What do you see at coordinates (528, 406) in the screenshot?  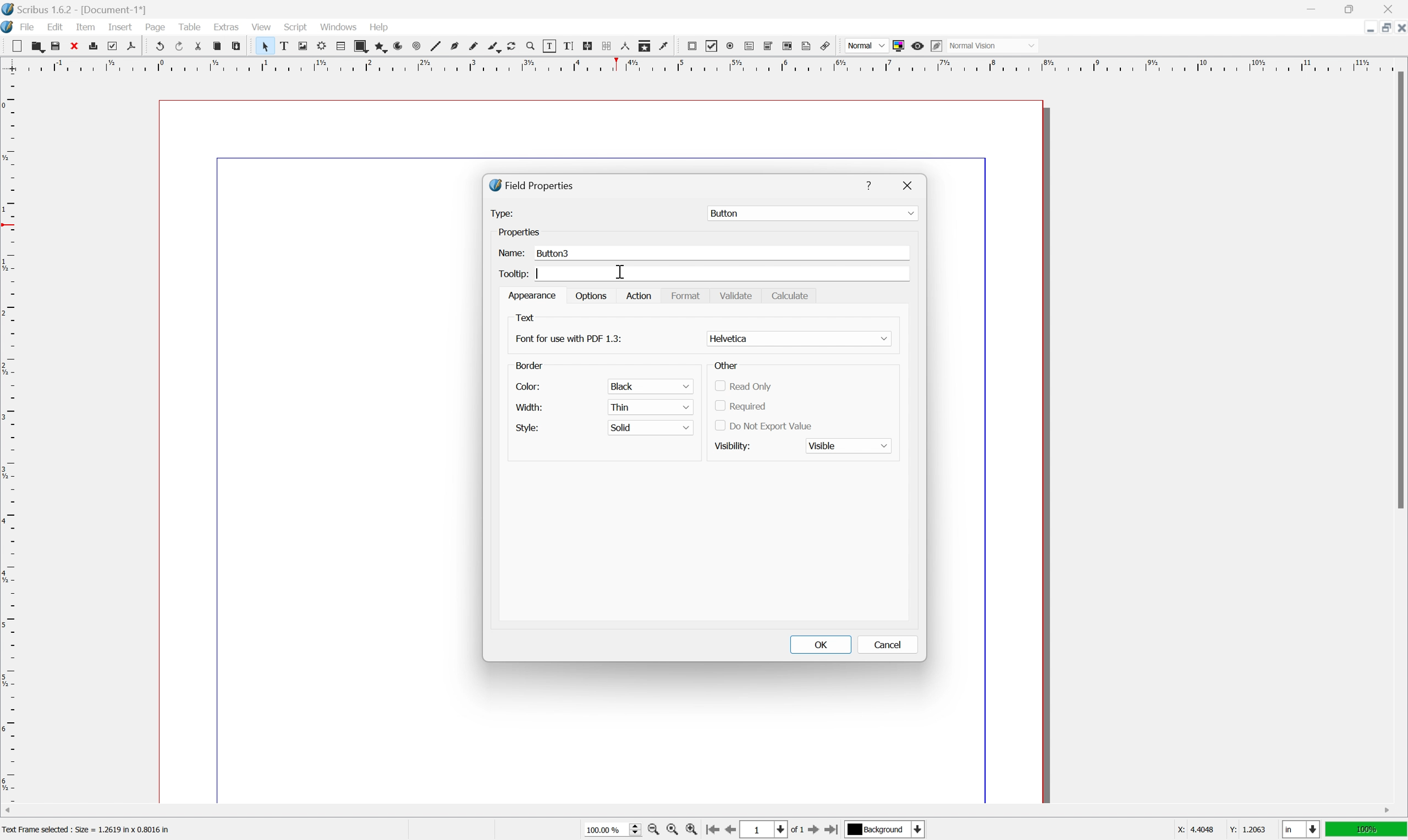 I see `width:` at bounding box center [528, 406].